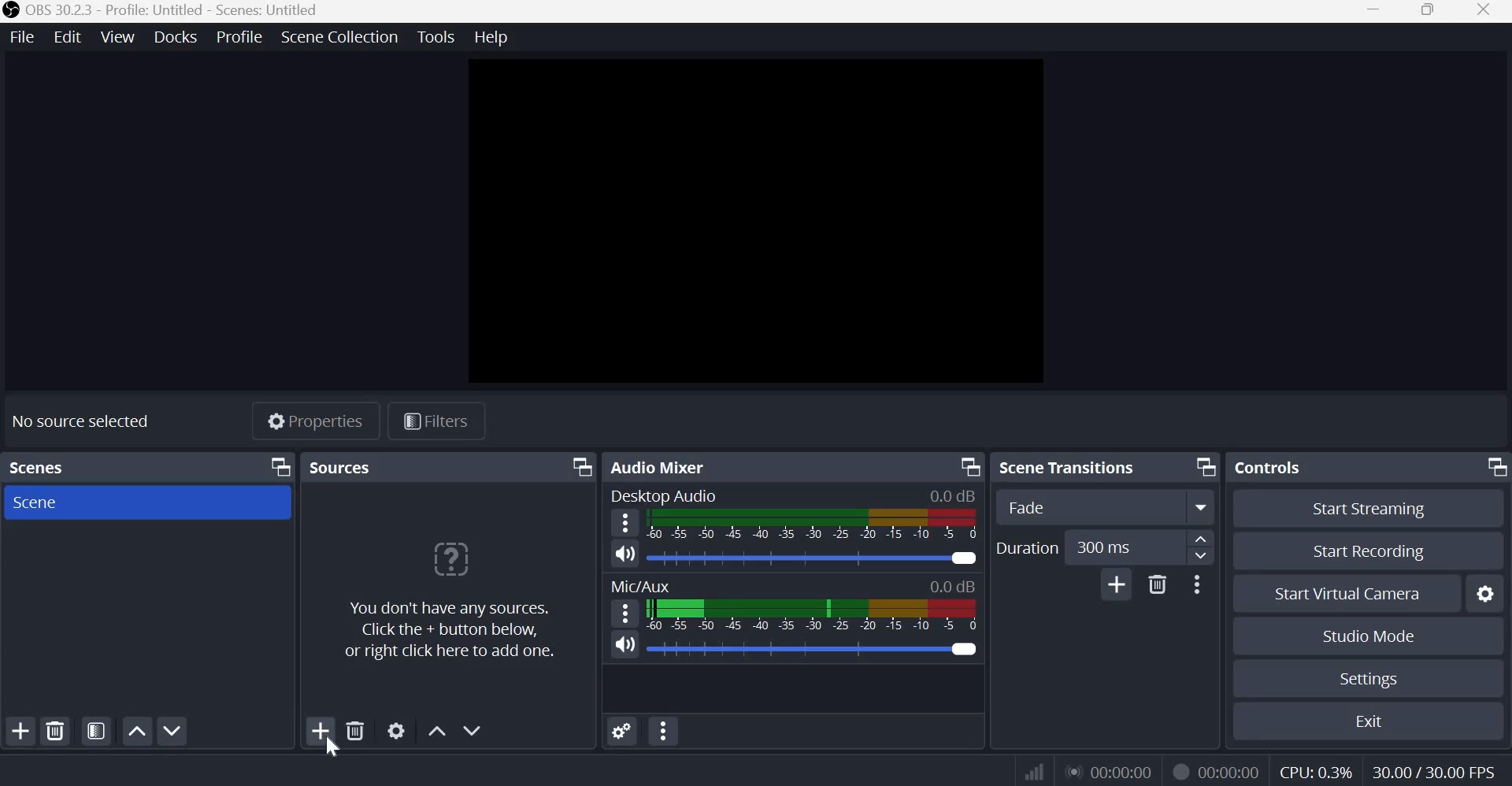 This screenshot has width=1512, height=786. I want to click on Delete Transition, so click(1158, 584).